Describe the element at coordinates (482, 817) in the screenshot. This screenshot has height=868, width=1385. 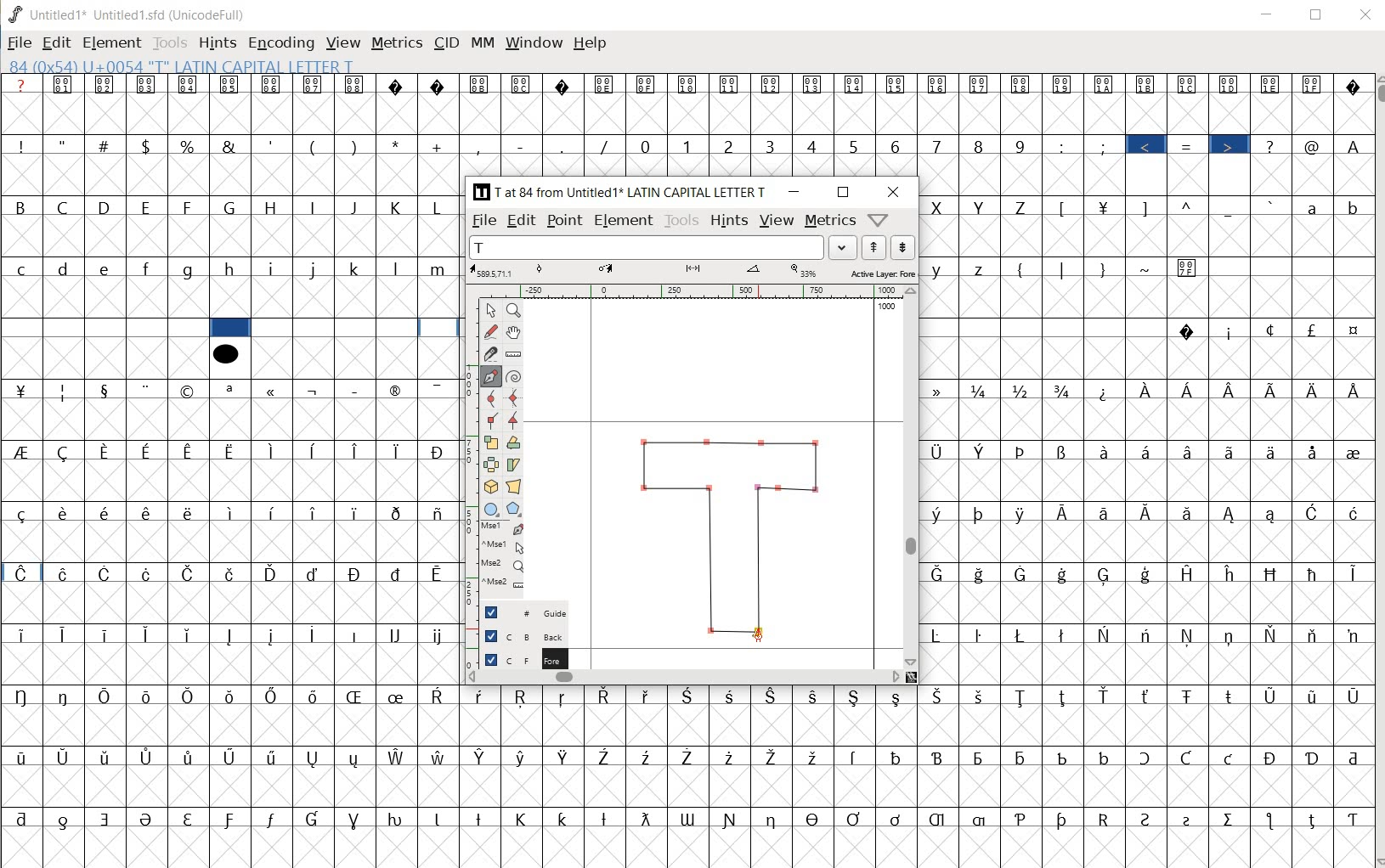
I see `Symbol` at that location.